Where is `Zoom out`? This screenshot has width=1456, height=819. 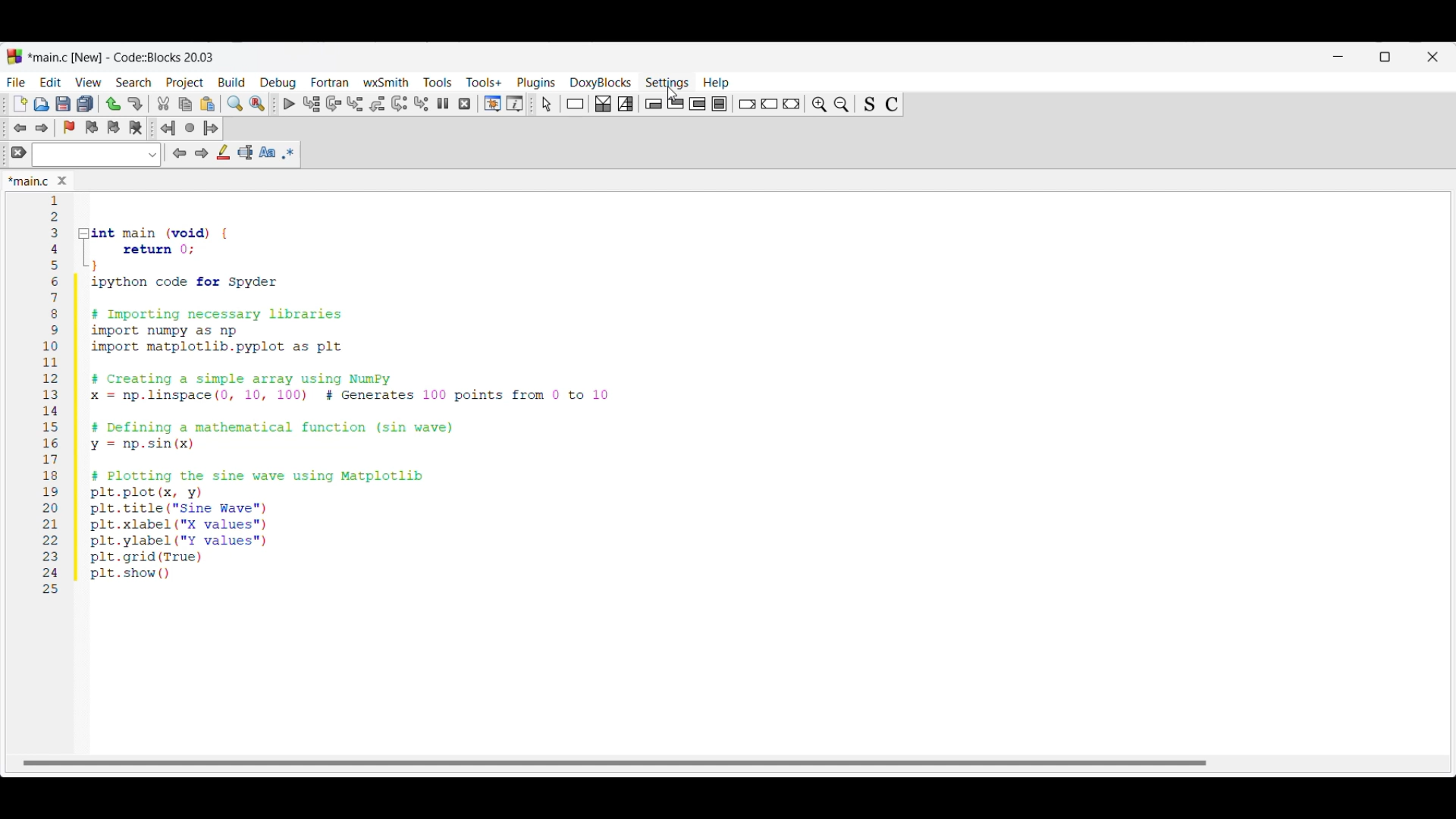 Zoom out is located at coordinates (842, 104).